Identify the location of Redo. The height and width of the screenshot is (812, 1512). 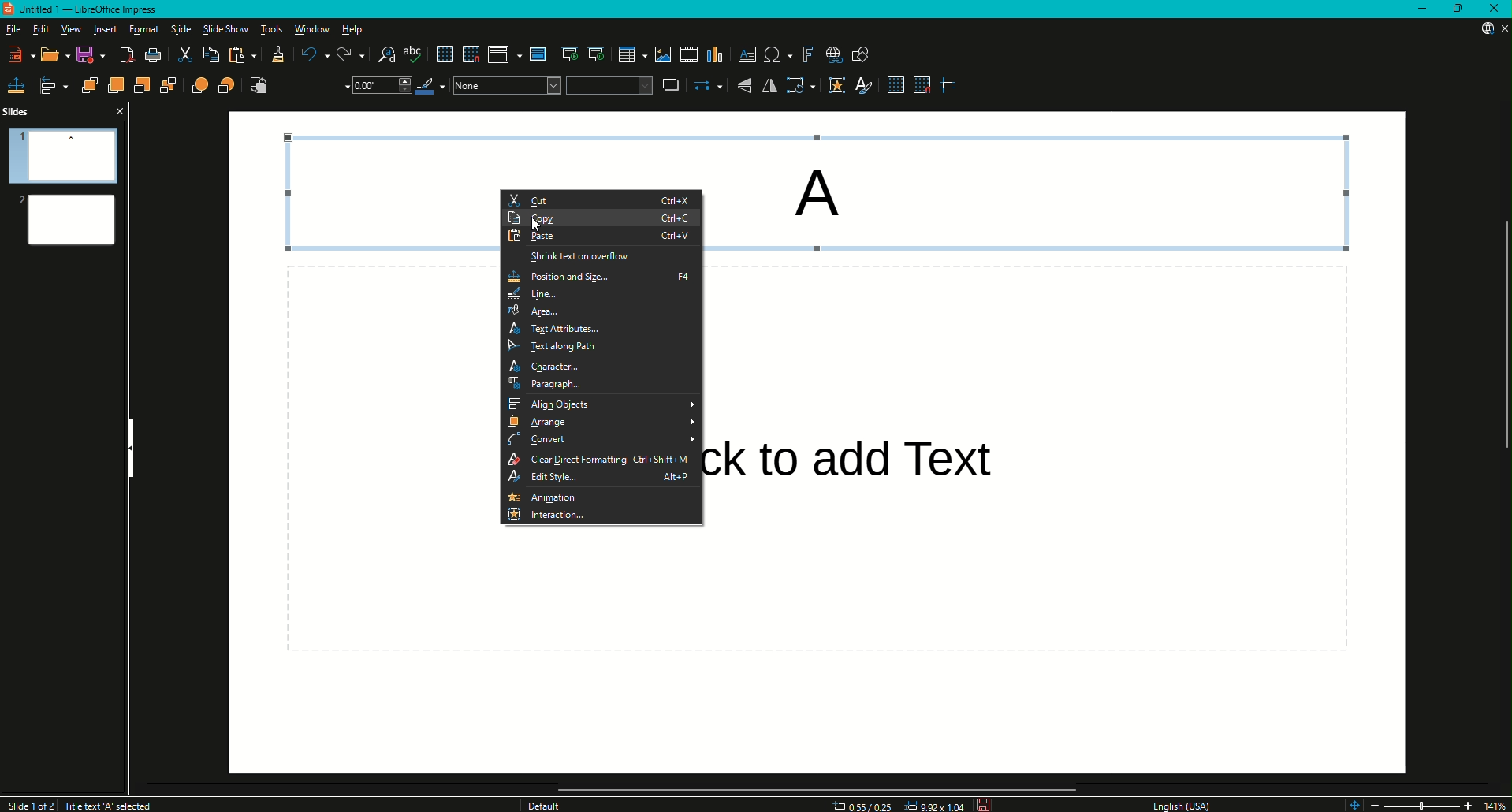
(345, 52).